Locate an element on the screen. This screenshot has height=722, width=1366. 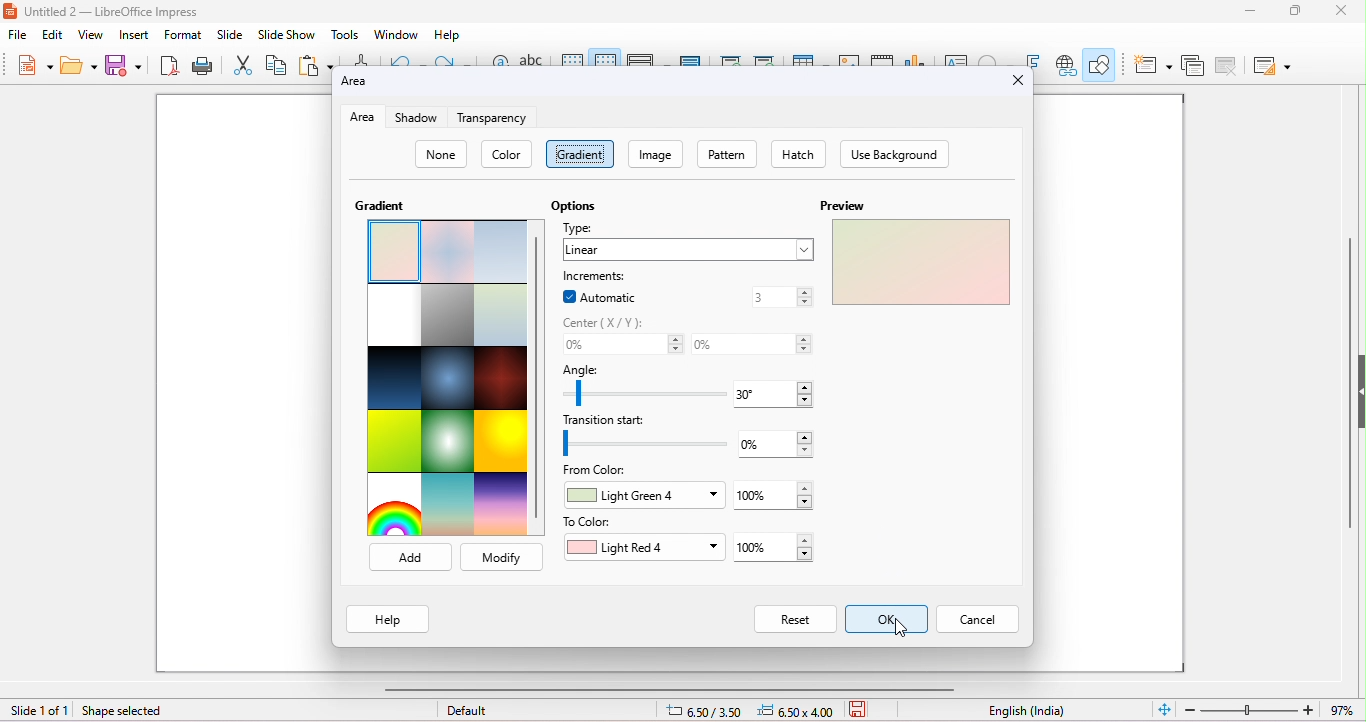
pattern is located at coordinates (726, 153).